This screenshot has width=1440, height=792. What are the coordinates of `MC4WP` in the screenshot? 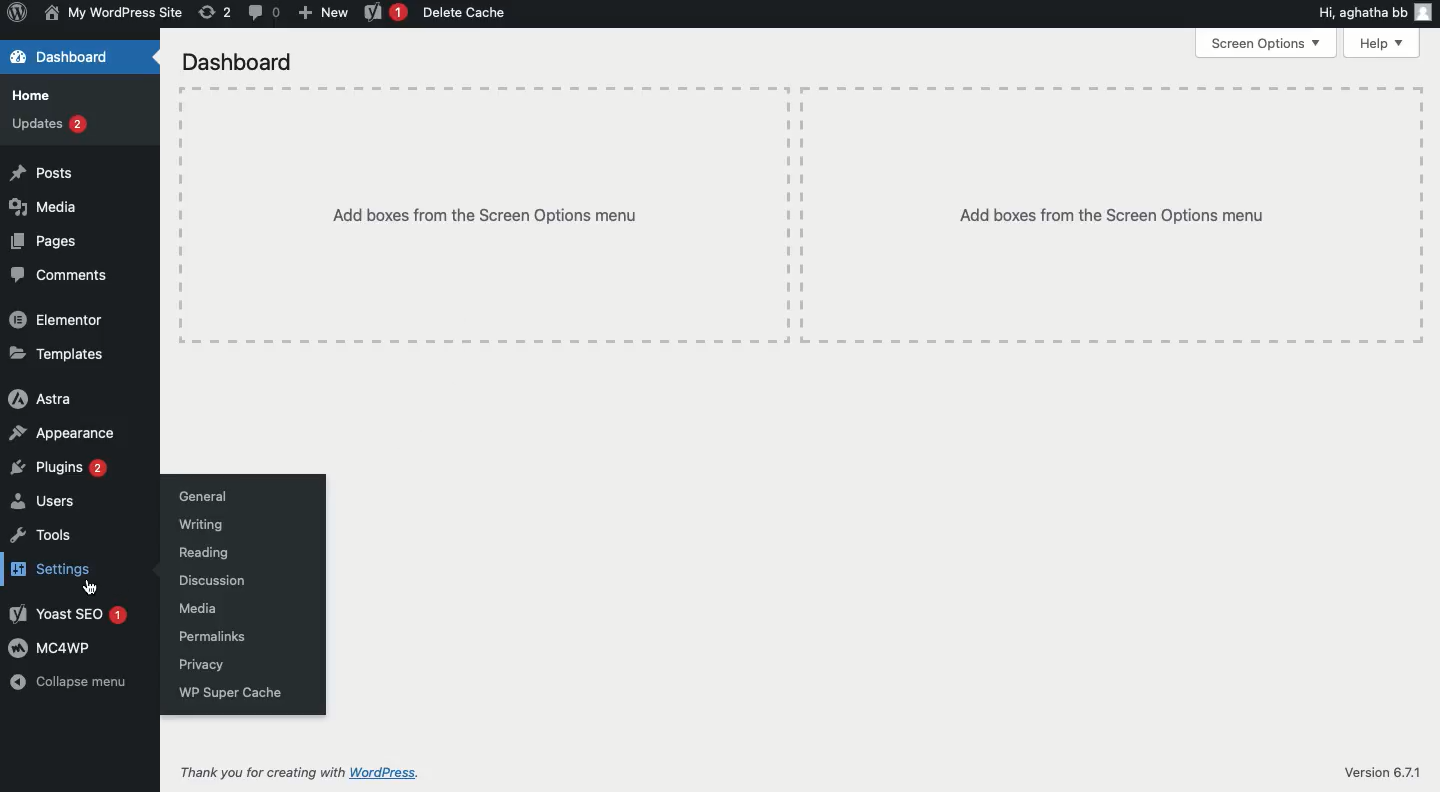 It's located at (49, 649).